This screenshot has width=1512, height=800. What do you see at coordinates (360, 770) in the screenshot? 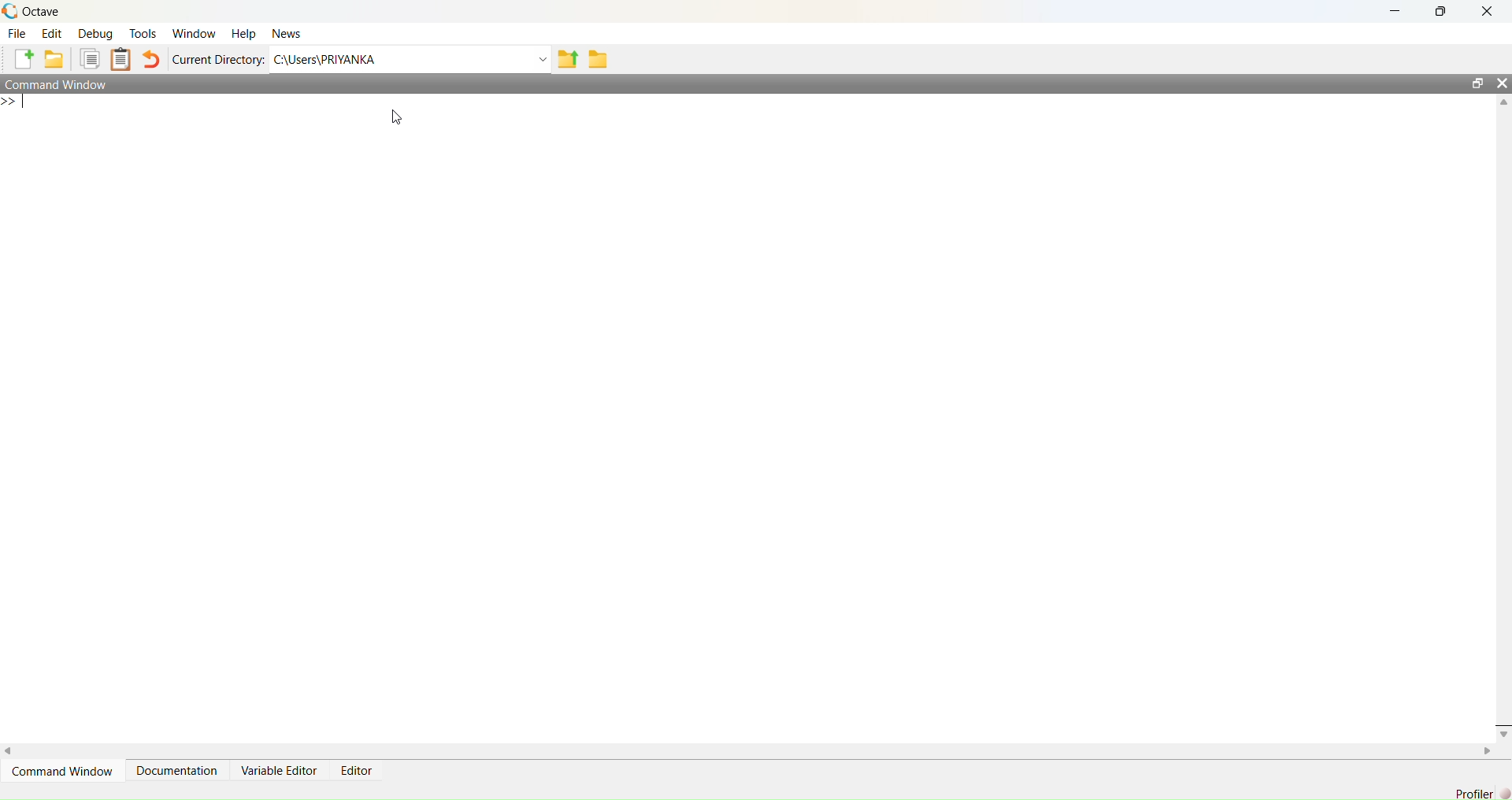
I see `Editor` at bounding box center [360, 770].